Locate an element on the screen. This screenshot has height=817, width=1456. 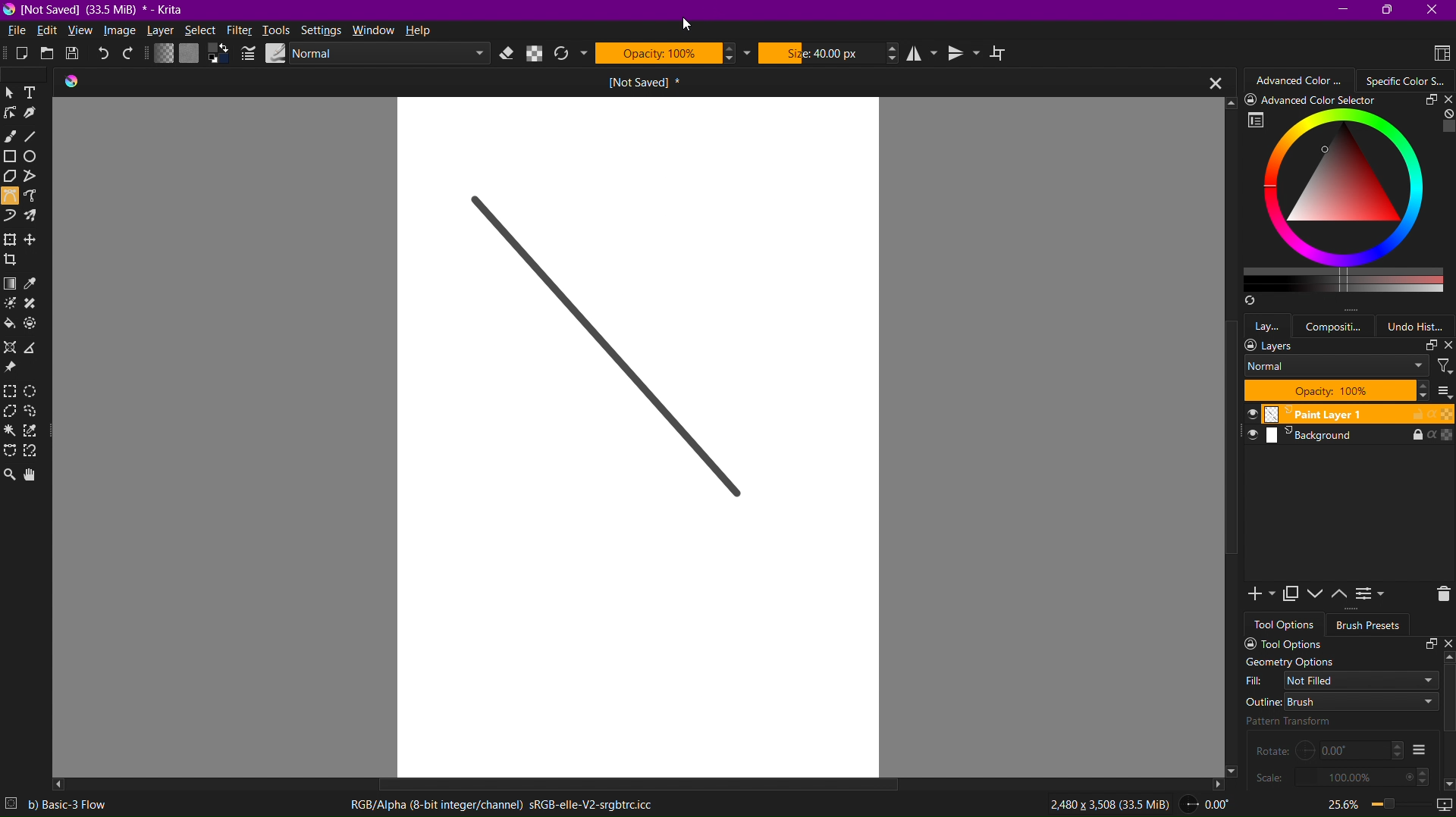
Dynamic Brush Tool is located at coordinates (11, 217).